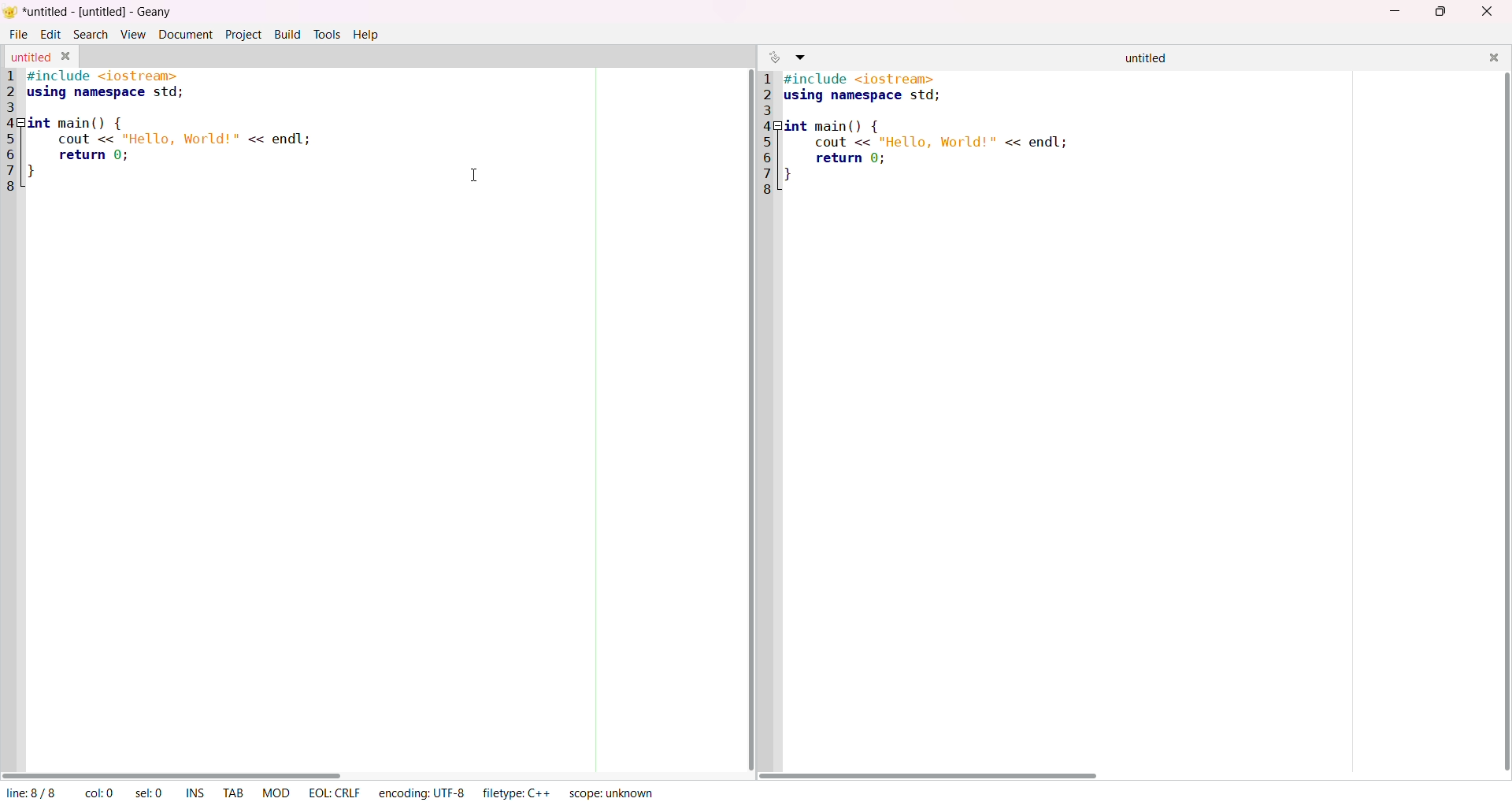  What do you see at coordinates (67, 57) in the screenshot?
I see `close tab` at bounding box center [67, 57].